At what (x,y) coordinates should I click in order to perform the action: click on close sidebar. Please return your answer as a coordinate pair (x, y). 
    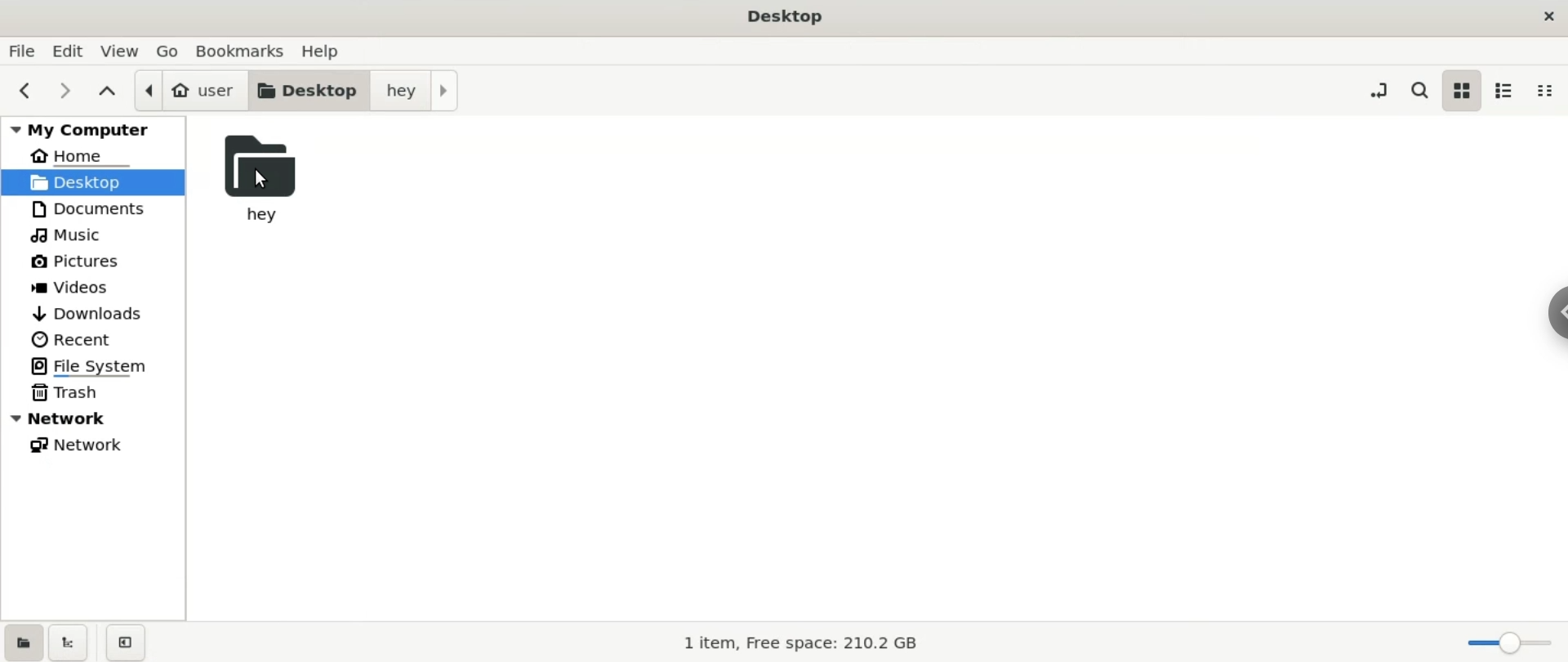
    Looking at the image, I should click on (124, 641).